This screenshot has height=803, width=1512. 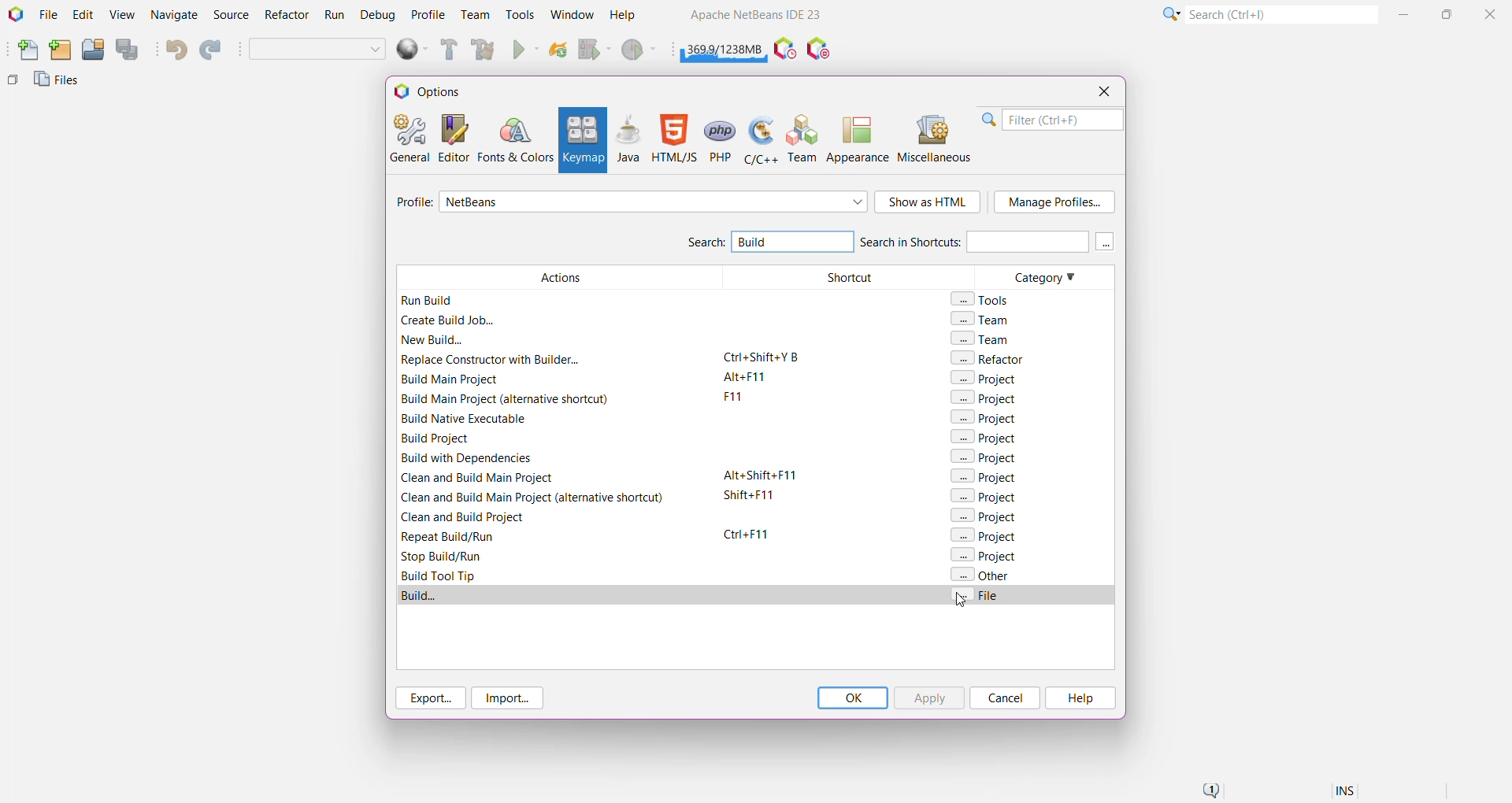 What do you see at coordinates (412, 204) in the screenshot?
I see `Profile` at bounding box center [412, 204].